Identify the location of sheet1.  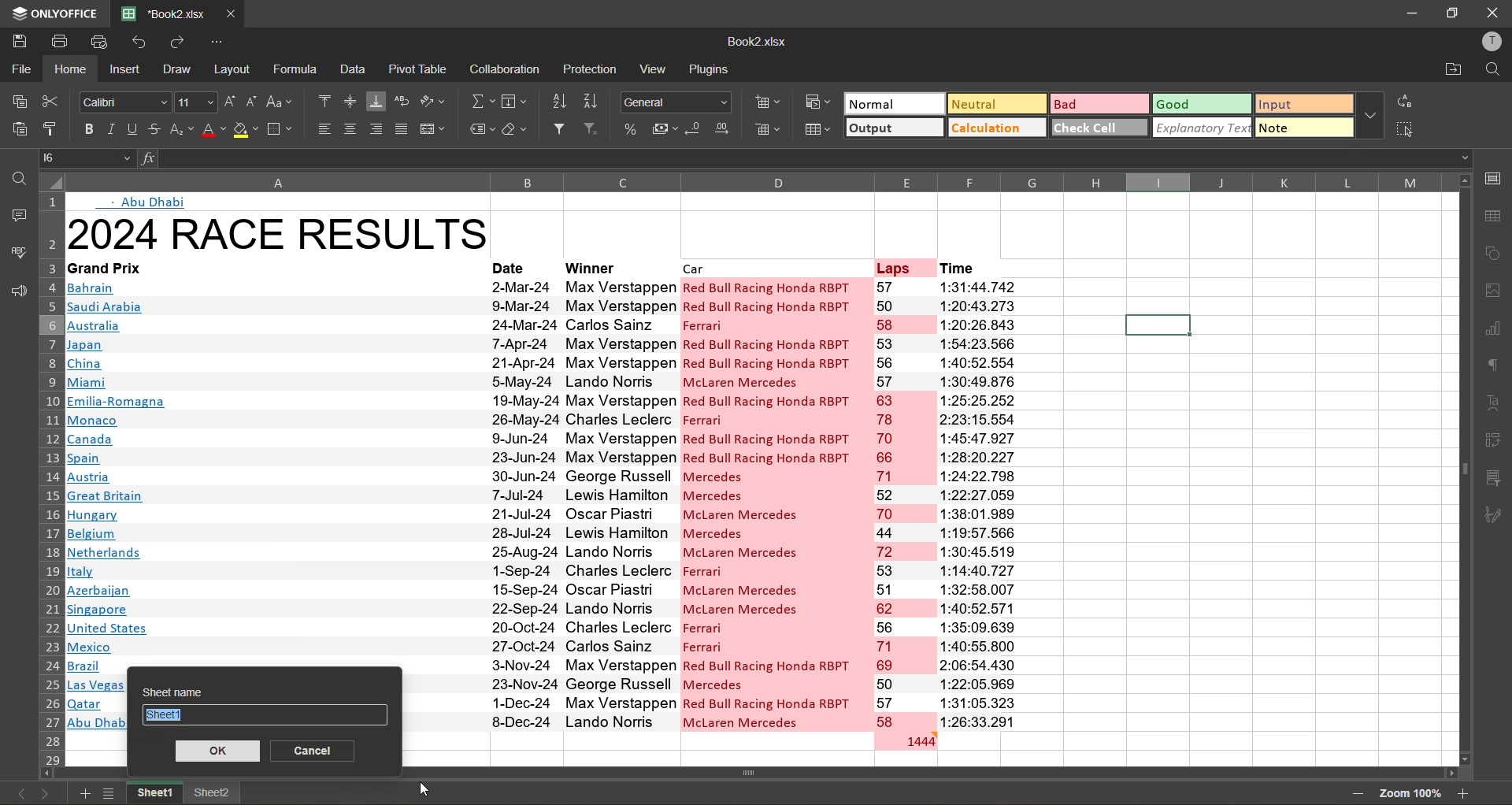
(176, 715).